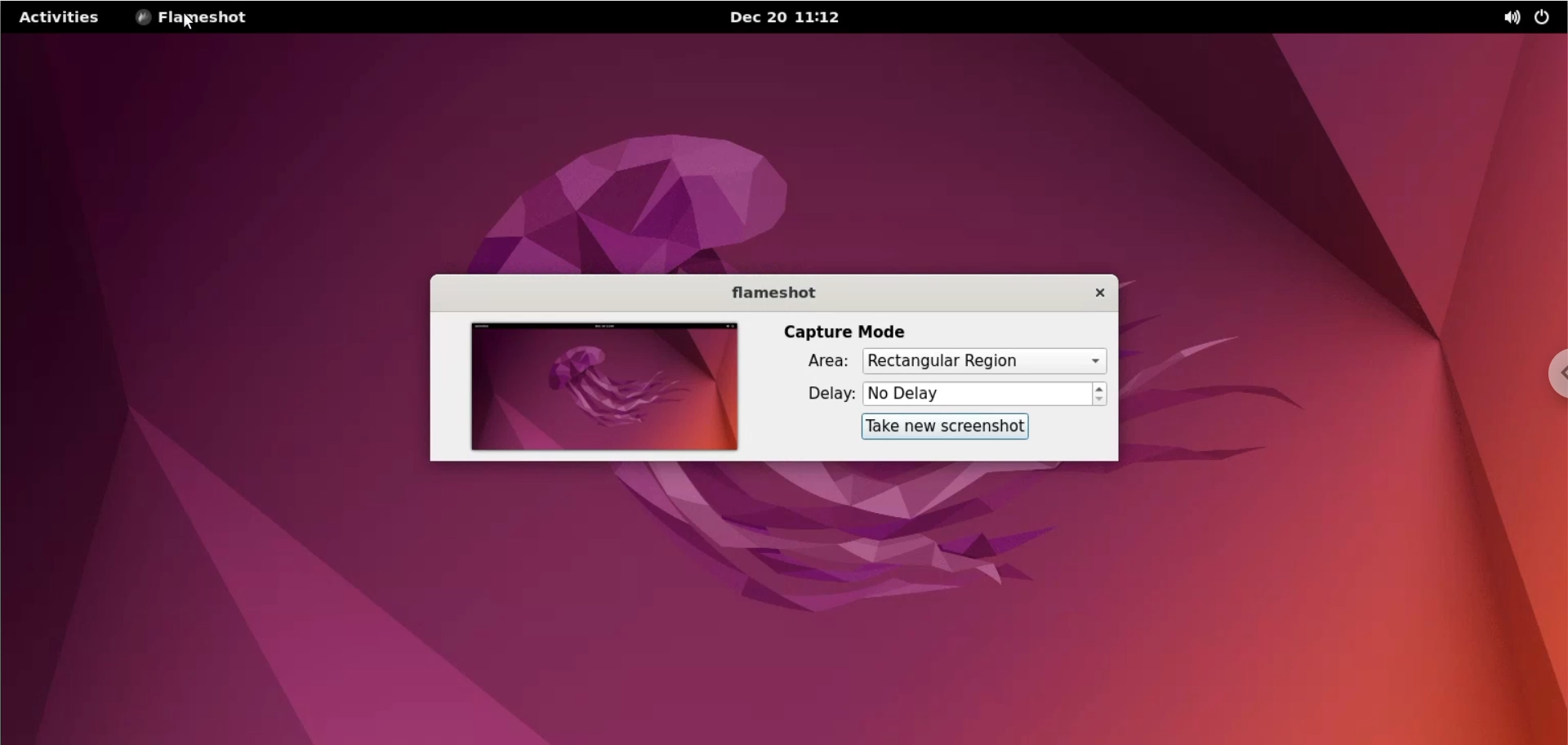 This screenshot has height=745, width=1568. Describe the element at coordinates (945, 428) in the screenshot. I see `take new screenshot` at that location.